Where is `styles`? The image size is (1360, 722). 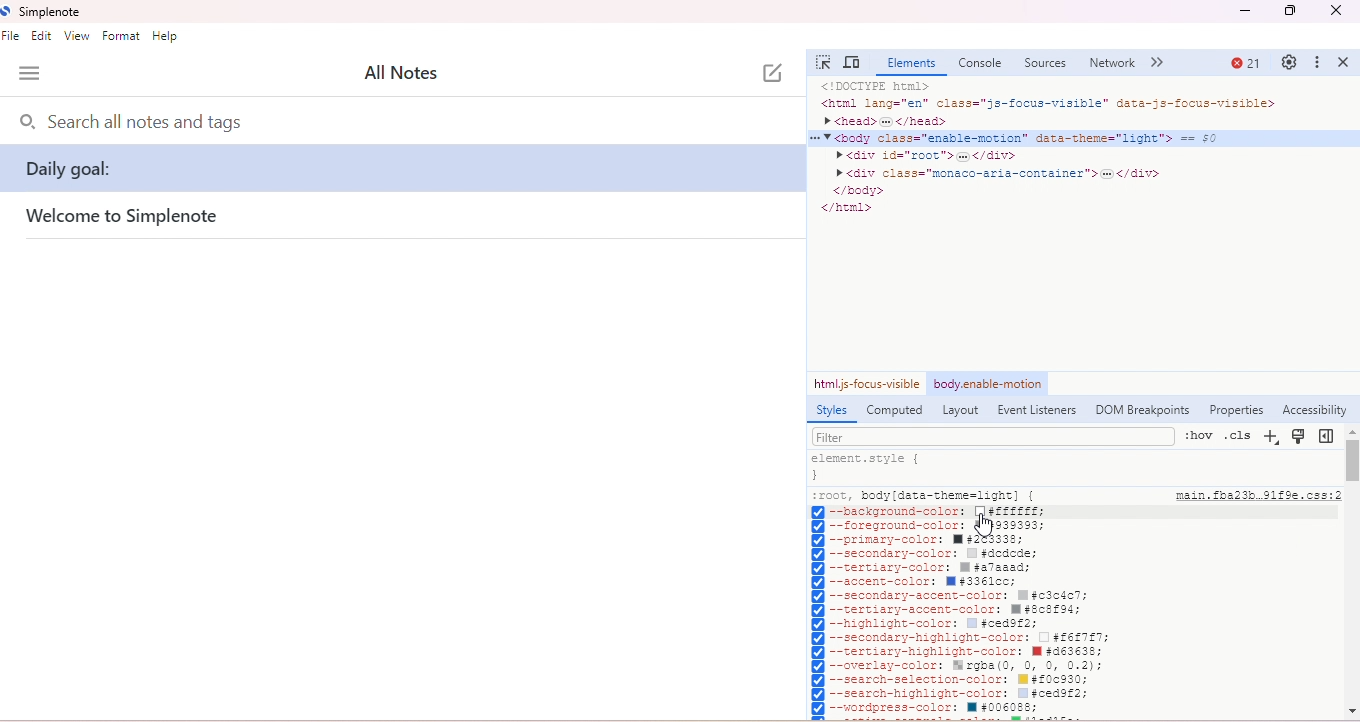 styles is located at coordinates (829, 412).